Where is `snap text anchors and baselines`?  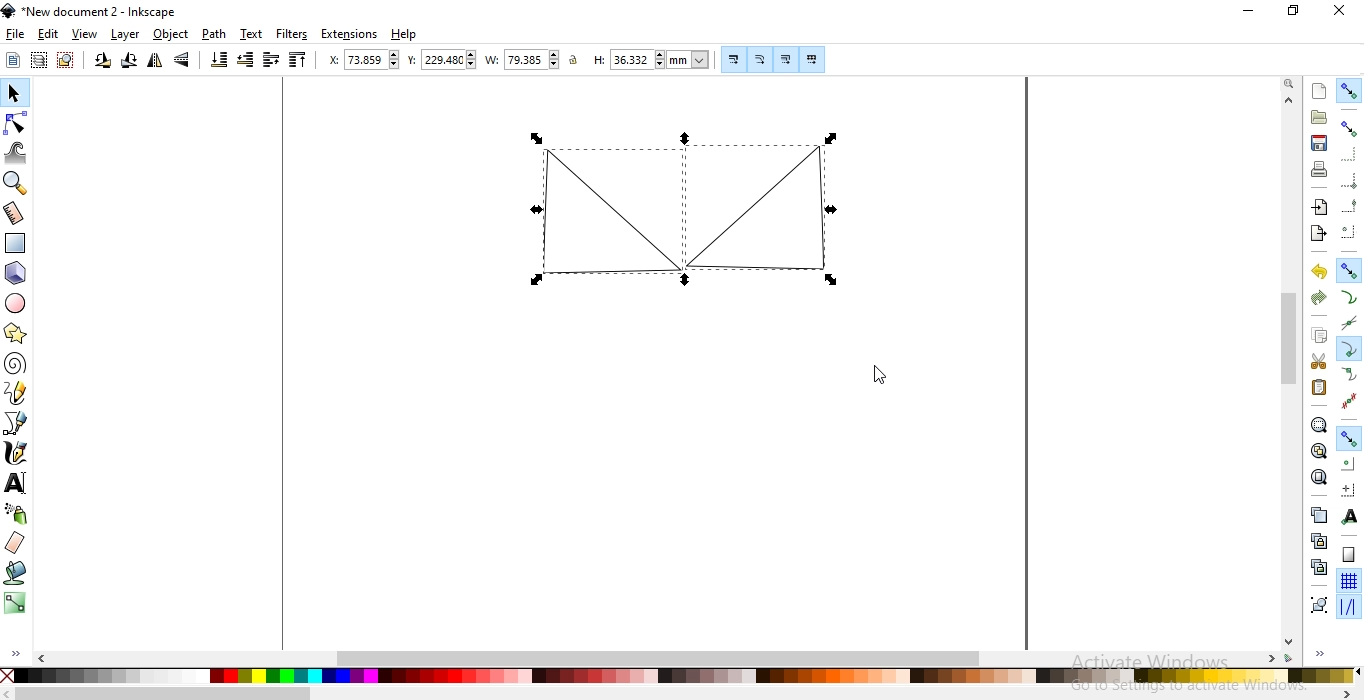 snap text anchors and baselines is located at coordinates (1350, 515).